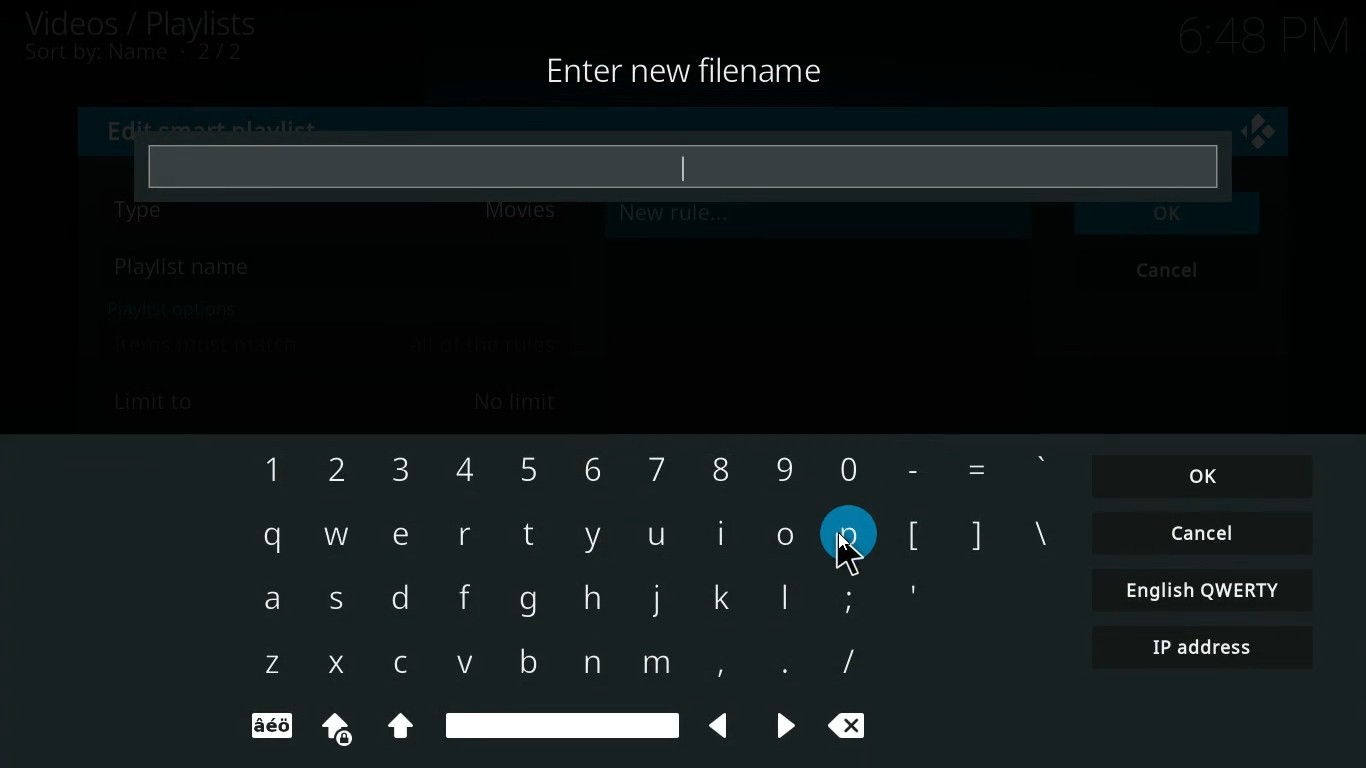 This screenshot has width=1366, height=768. I want to click on z, so click(270, 666).